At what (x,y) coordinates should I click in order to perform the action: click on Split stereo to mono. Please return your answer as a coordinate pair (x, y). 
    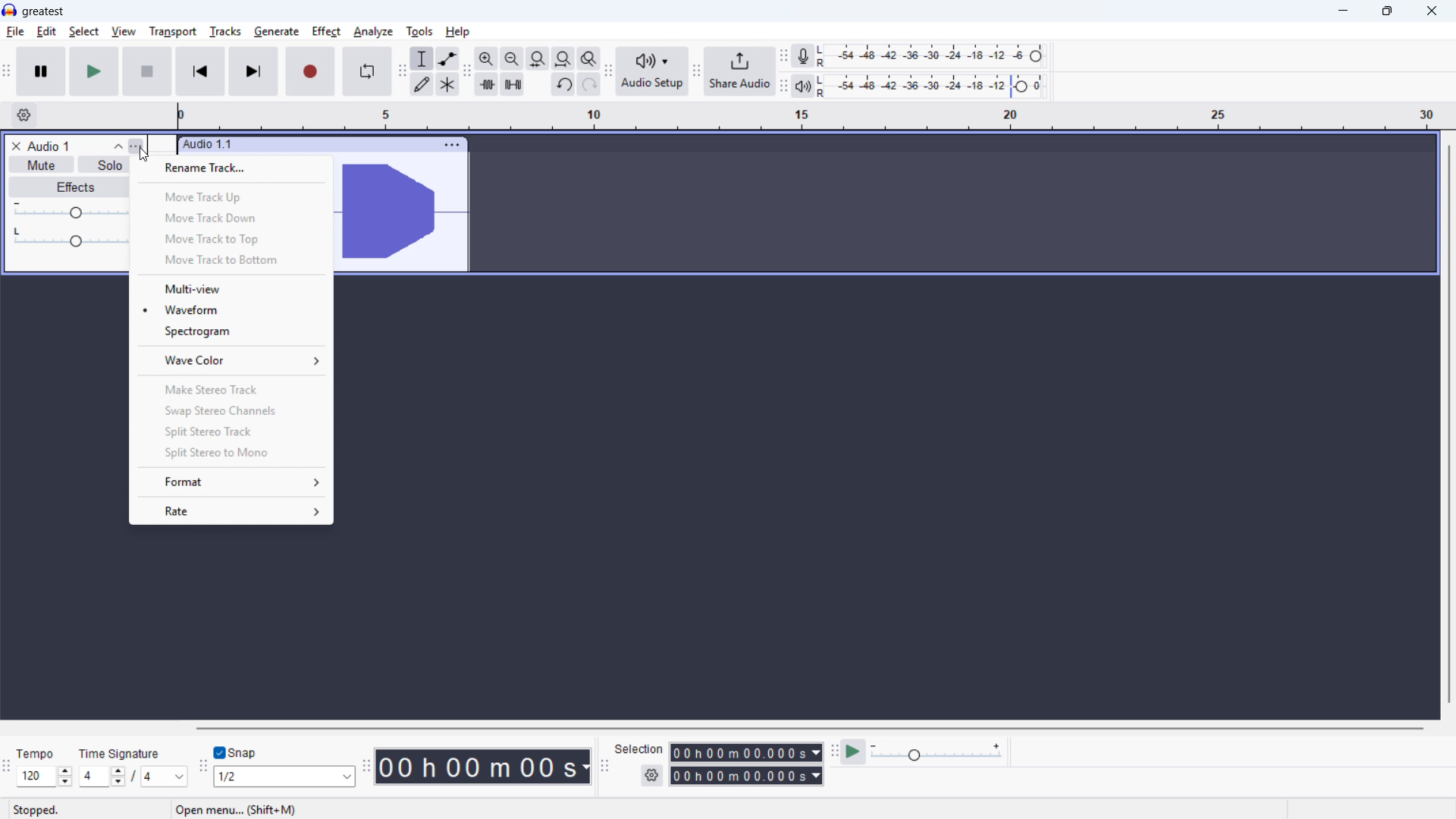
    Looking at the image, I should click on (232, 453).